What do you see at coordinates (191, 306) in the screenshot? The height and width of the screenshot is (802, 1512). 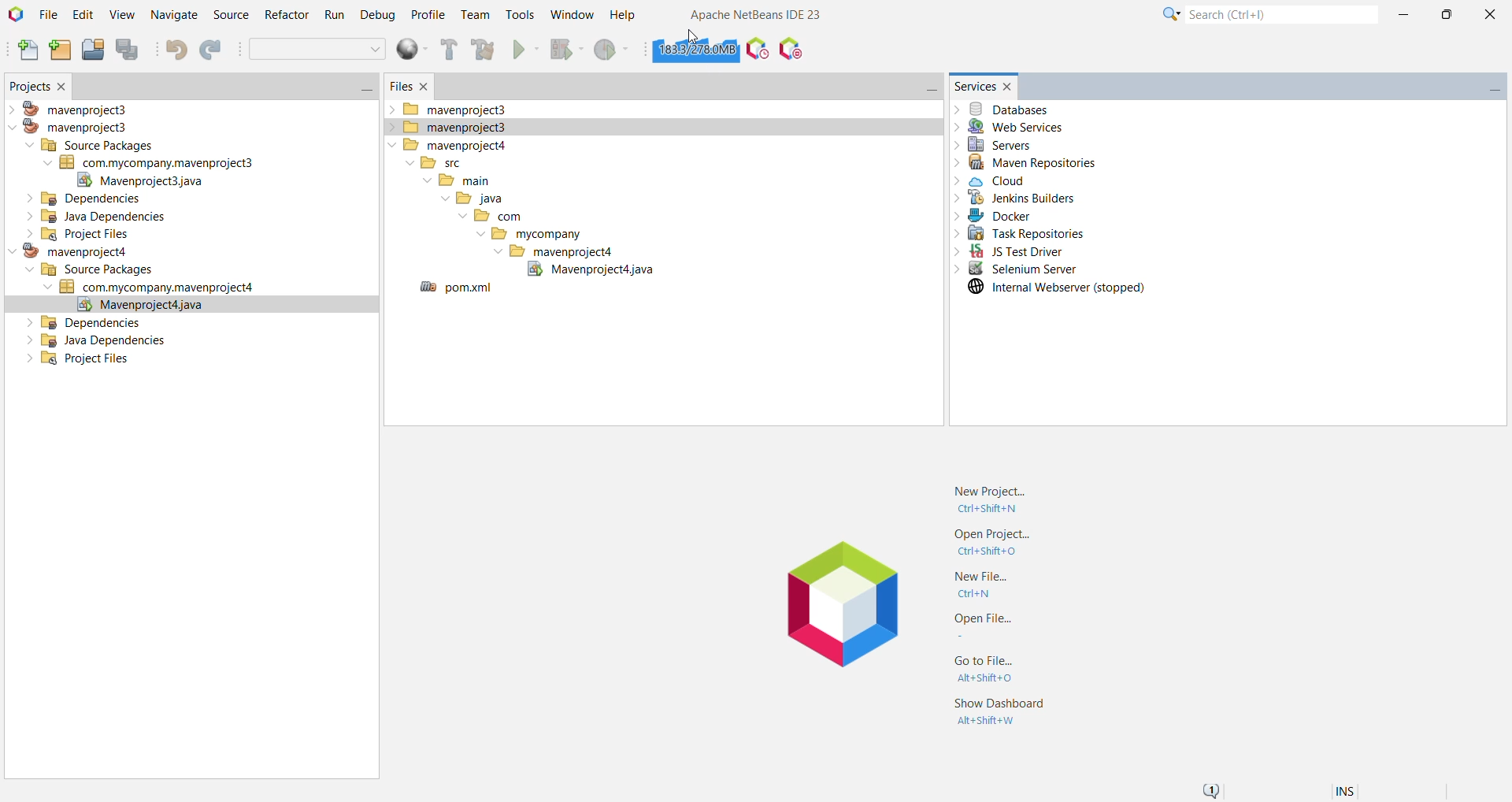 I see `Mavenproject.java` at bounding box center [191, 306].